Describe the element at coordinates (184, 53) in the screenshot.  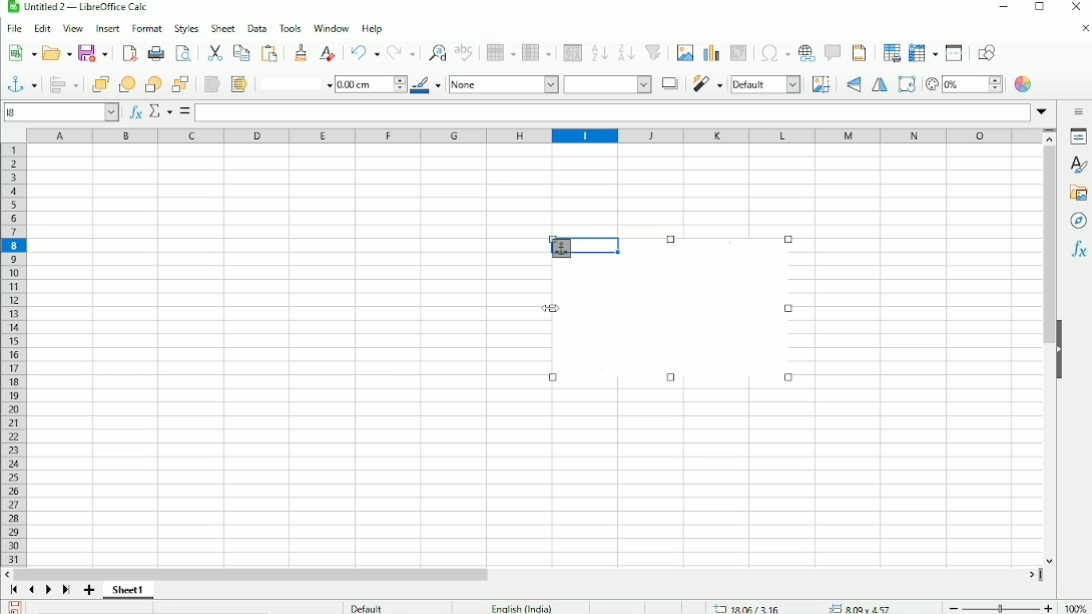
I see `Toggle print preview` at that location.